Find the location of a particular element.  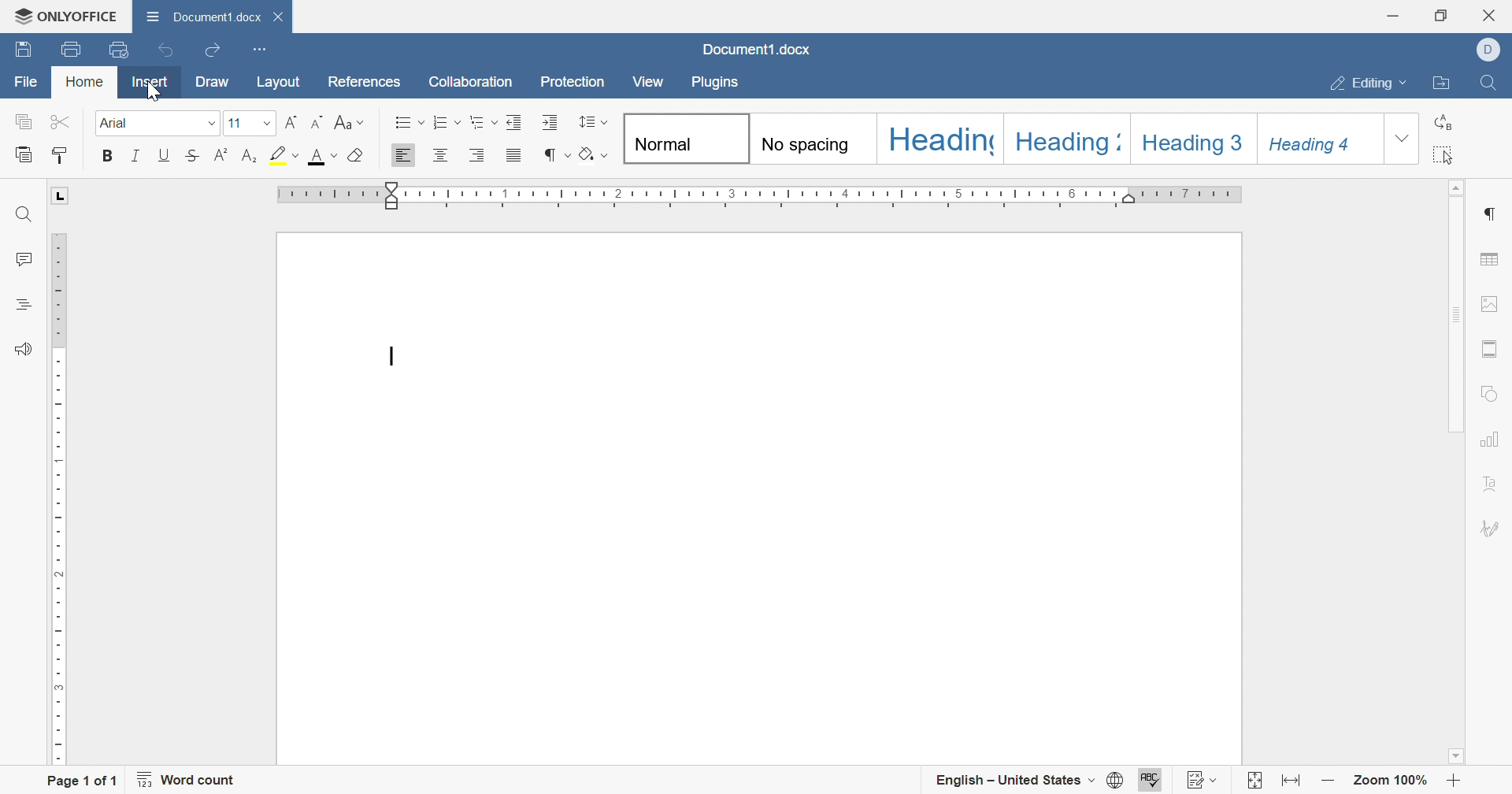

Superscript is located at coordinates (220, 155).